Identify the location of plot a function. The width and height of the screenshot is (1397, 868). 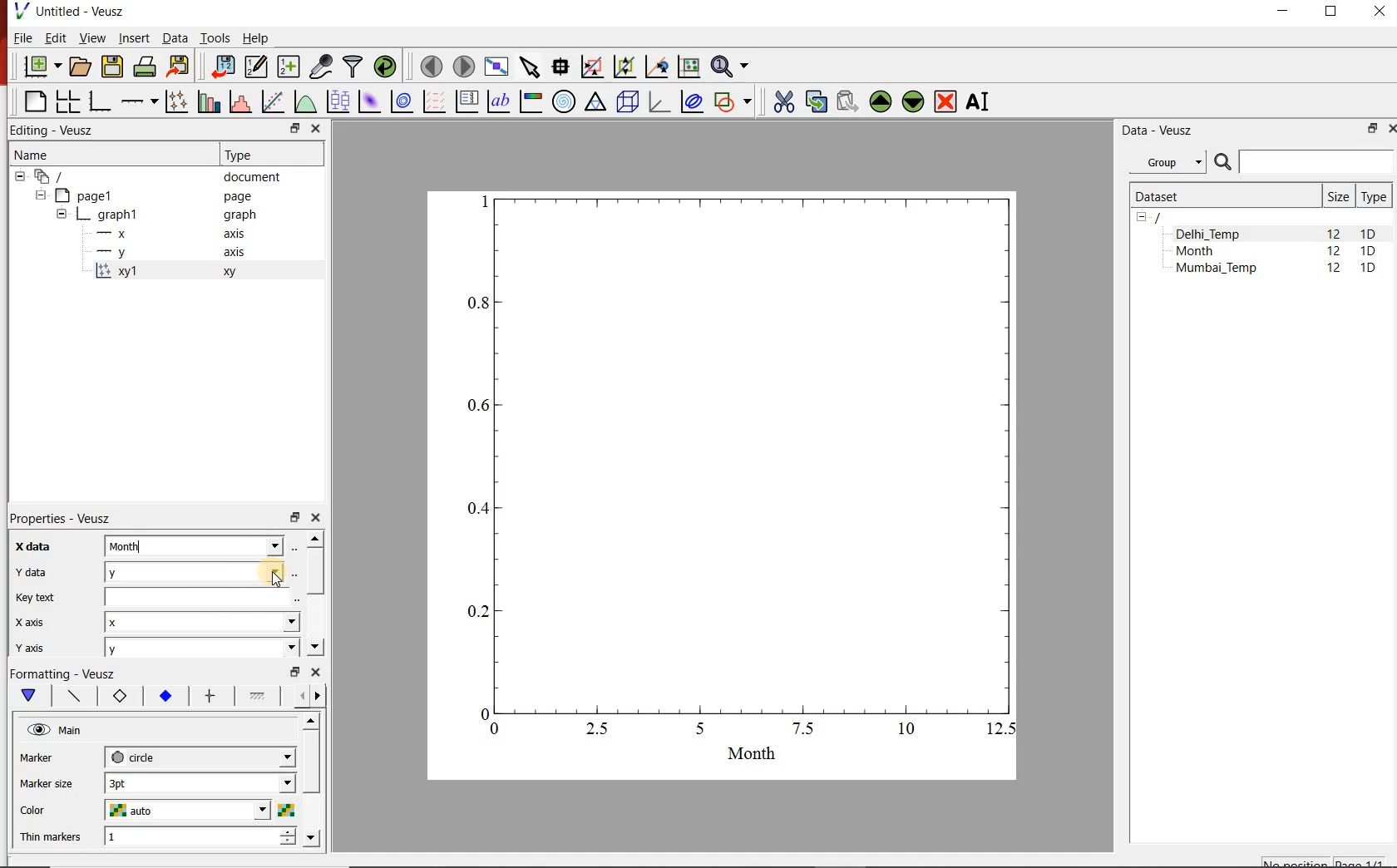
(305, 101).